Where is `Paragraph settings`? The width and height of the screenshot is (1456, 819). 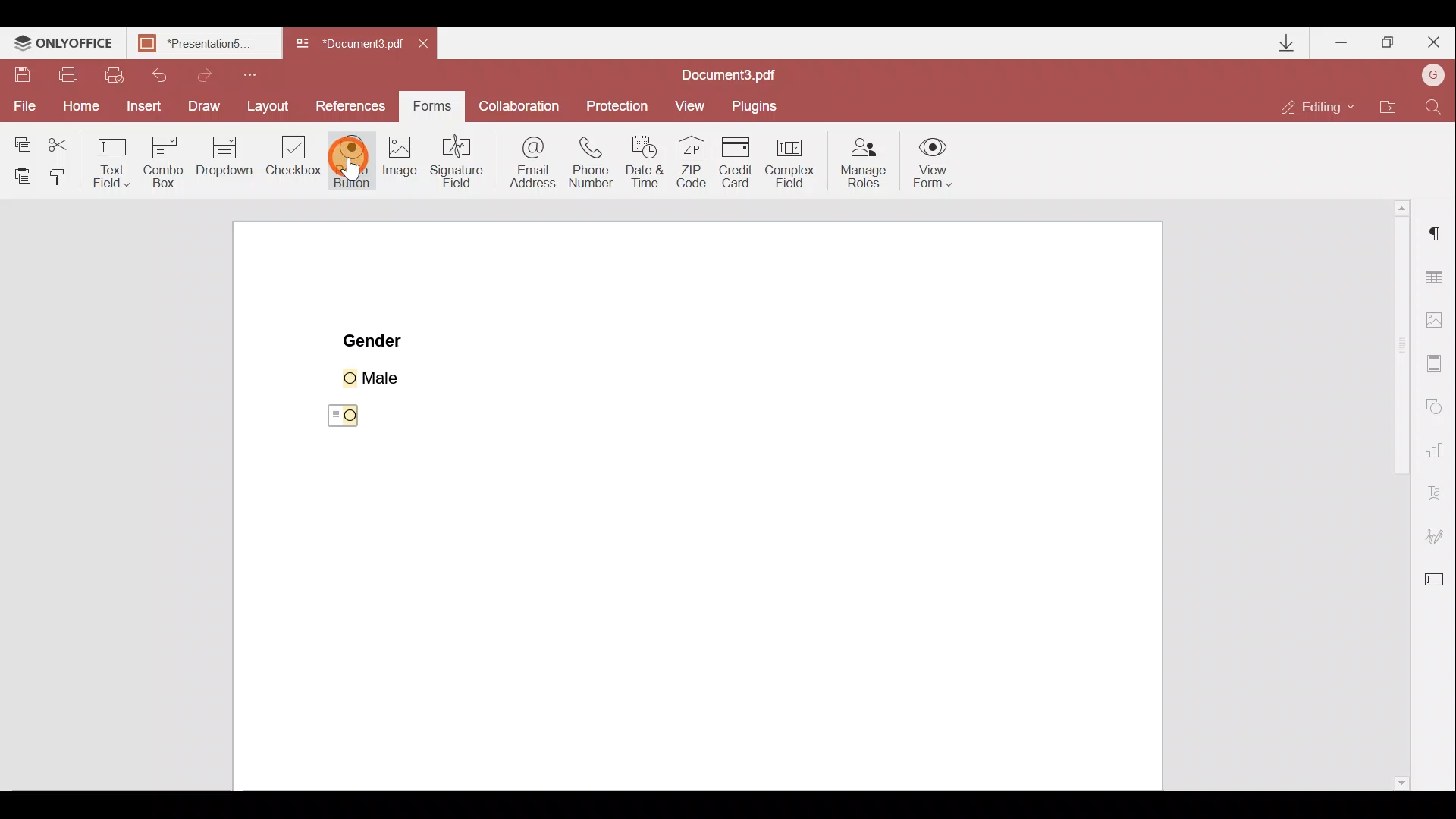
Paragraph settings is located at coordinates (1434, 240).